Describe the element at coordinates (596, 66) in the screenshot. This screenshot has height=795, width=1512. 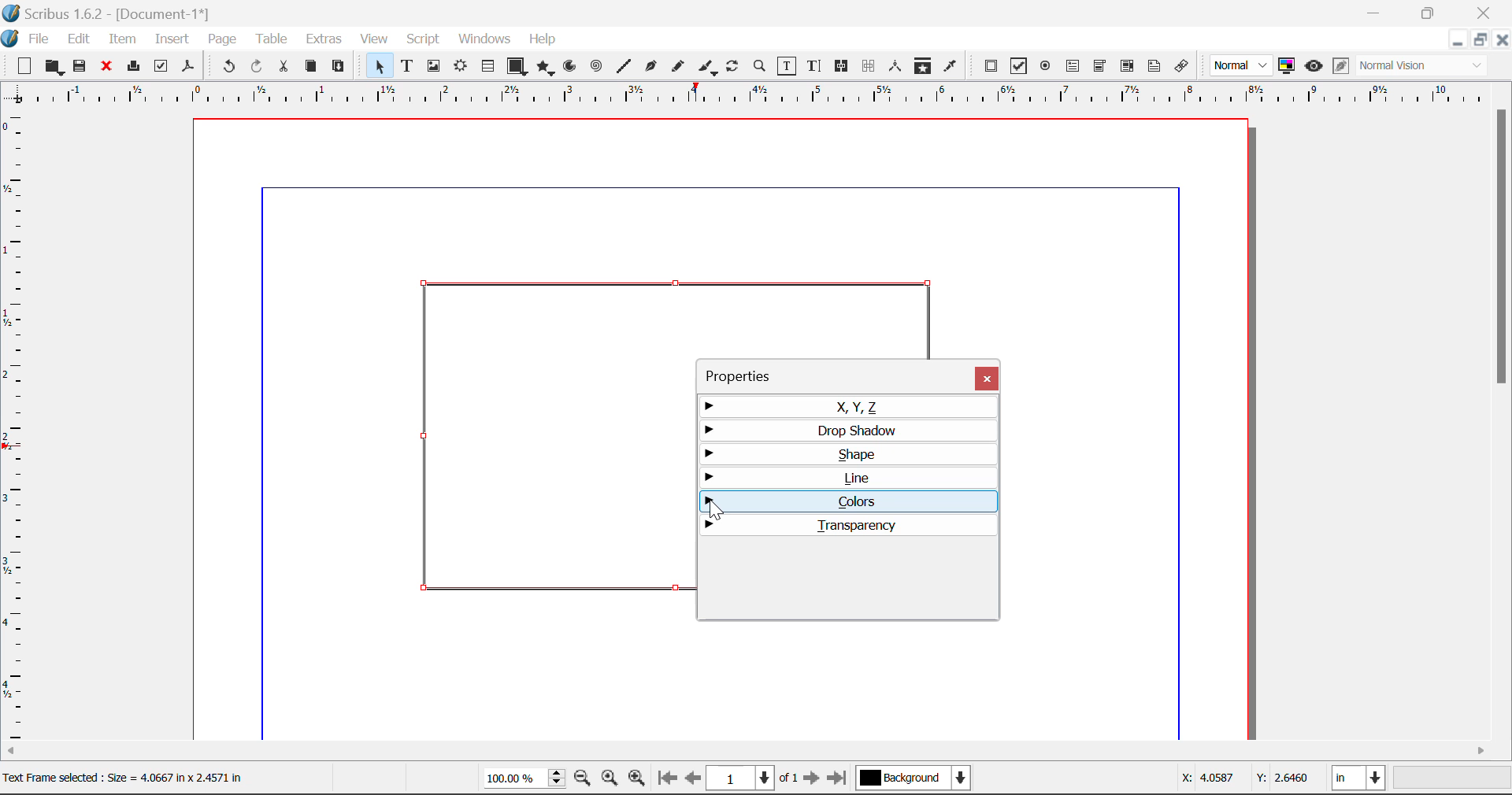
I see `Spiral` at that location.